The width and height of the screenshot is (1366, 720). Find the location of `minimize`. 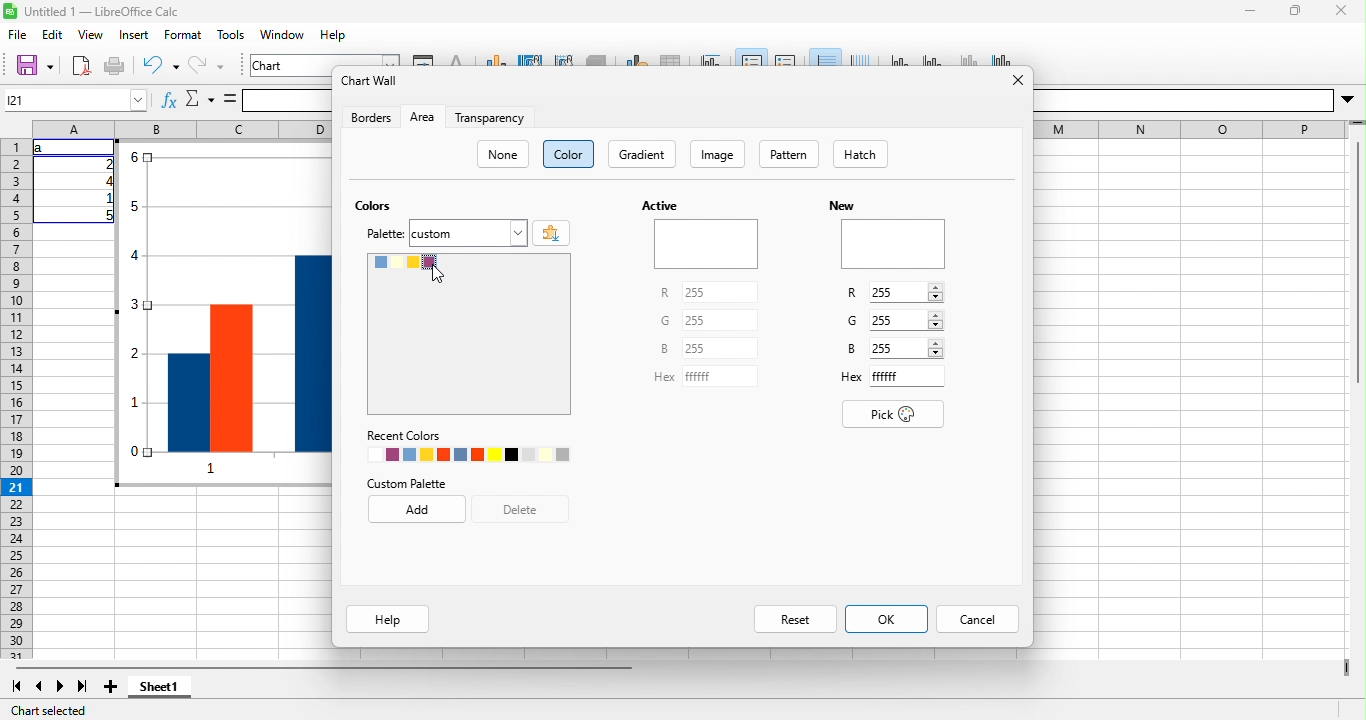

minimize is located at coordinates (1250, 11).